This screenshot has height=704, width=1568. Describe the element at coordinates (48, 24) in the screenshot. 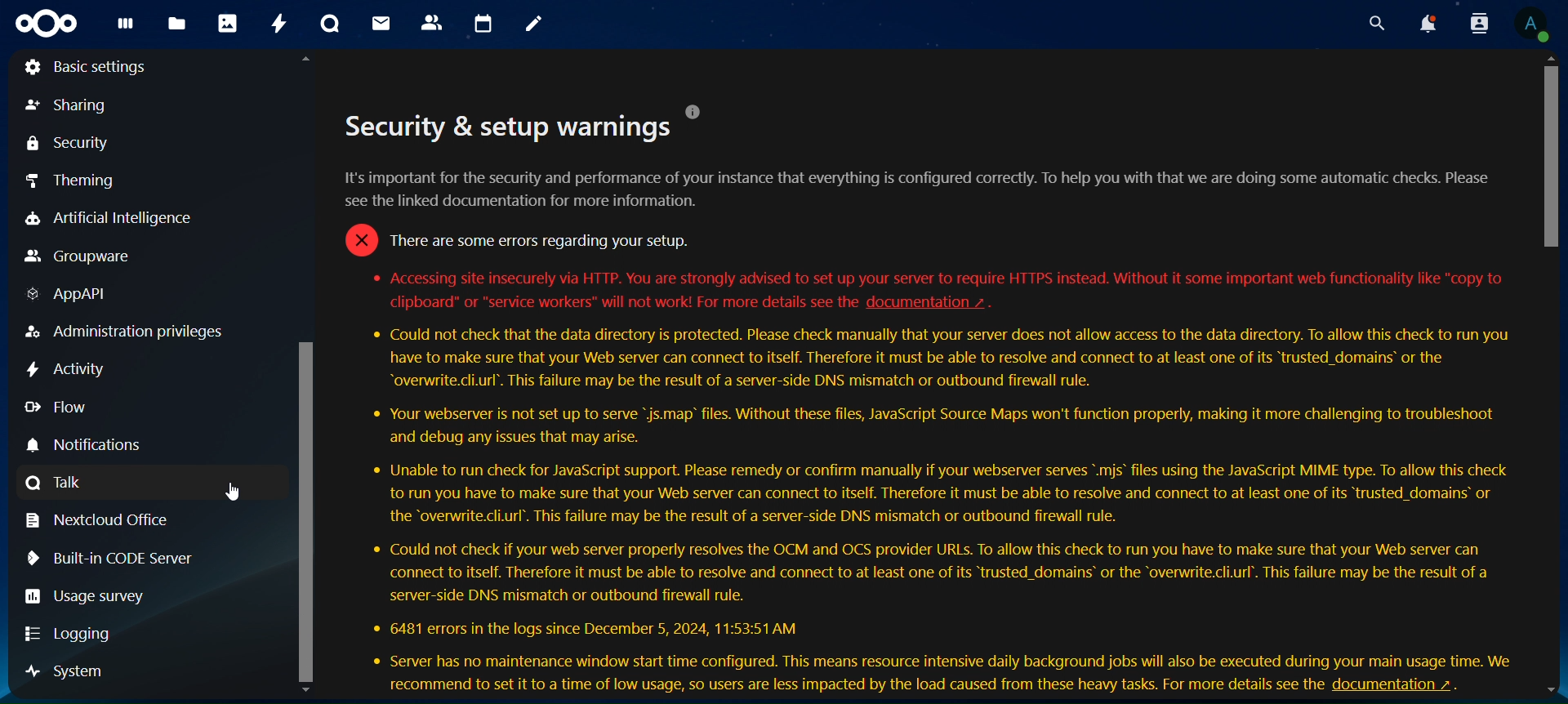

I see `icon` at that location.